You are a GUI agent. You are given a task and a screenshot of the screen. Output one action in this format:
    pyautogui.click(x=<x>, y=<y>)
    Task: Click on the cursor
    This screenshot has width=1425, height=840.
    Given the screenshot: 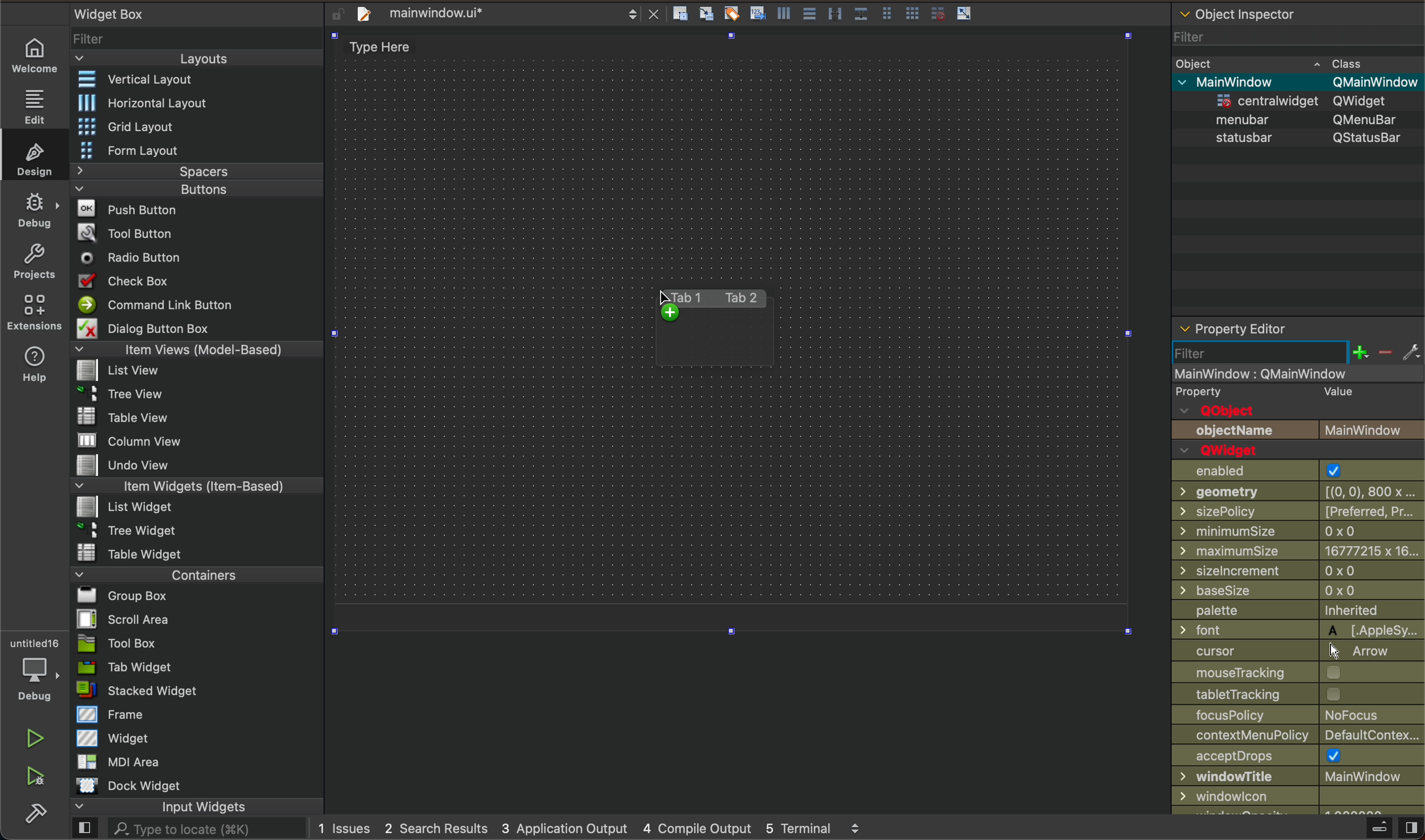 What is the action you would take?
    pyautogui.click(x=1296, y=652)
    